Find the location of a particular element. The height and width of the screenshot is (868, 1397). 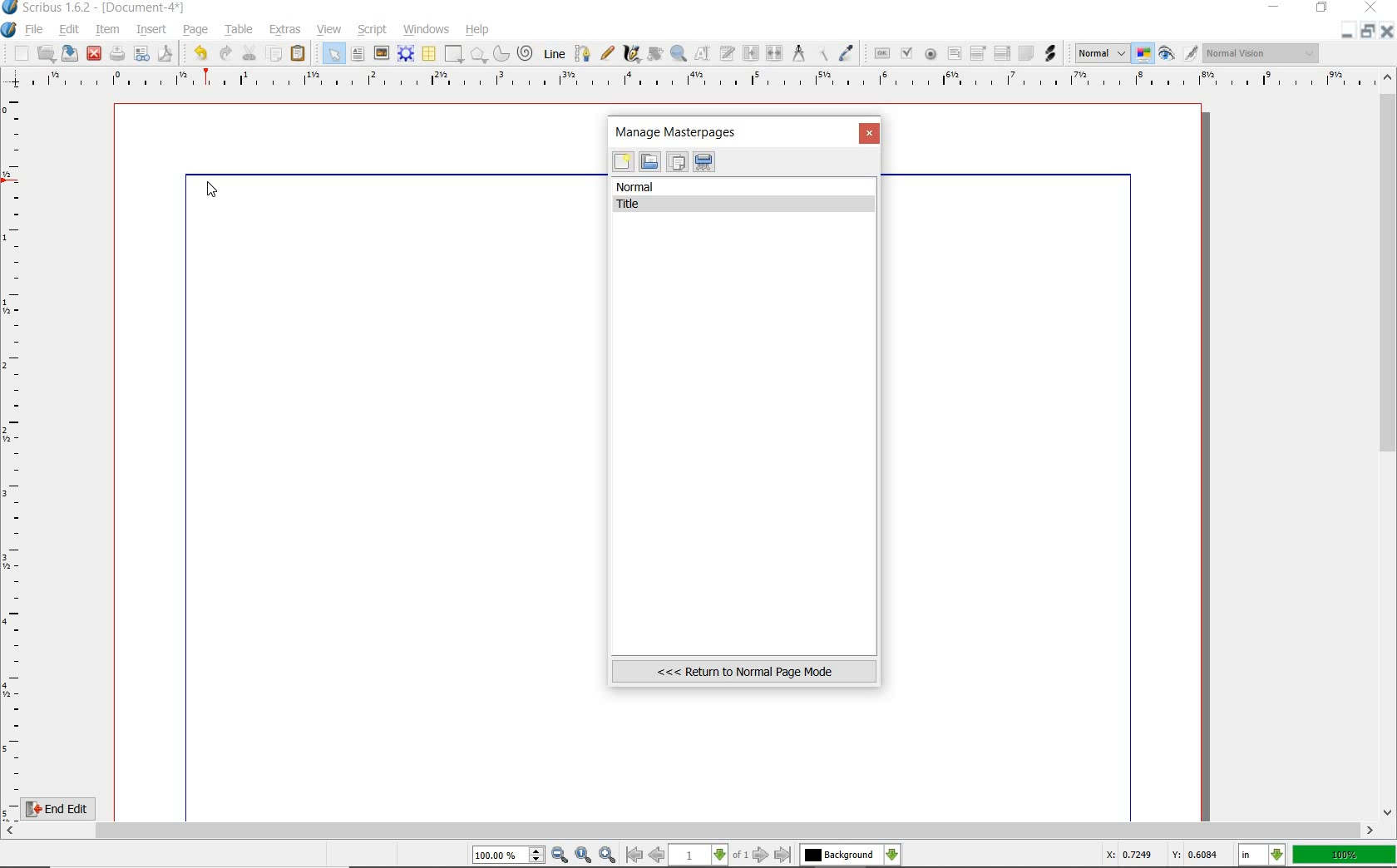

restore is located at coordinates (1370, 32).